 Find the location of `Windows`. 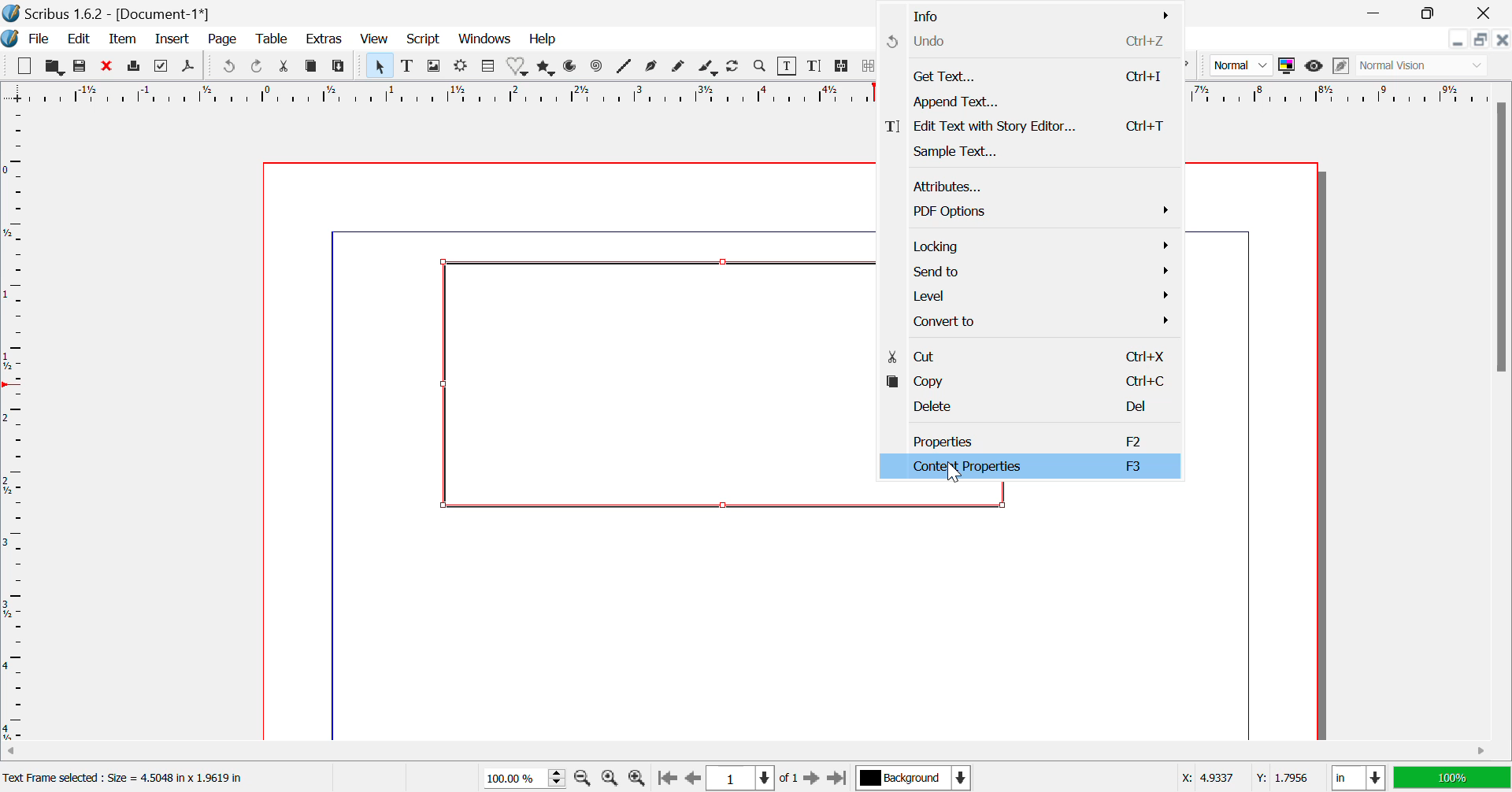

Windows is located at coordinates (485, 39).